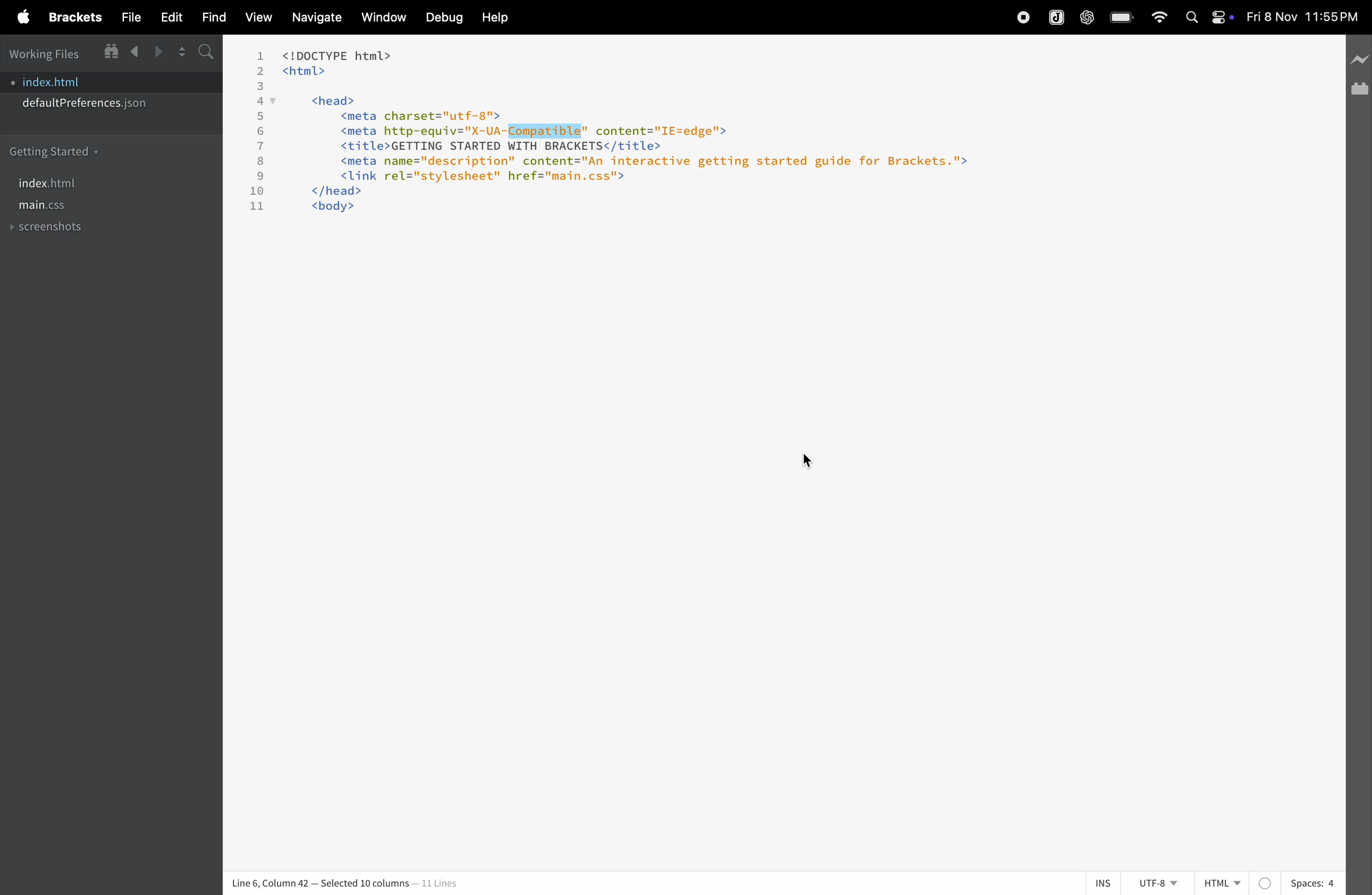 This screenshot has width=1372, height=895. What do you see at coordinates (133, 52) in the screenshot?
I see `backward` at bounding box center [133, 52].